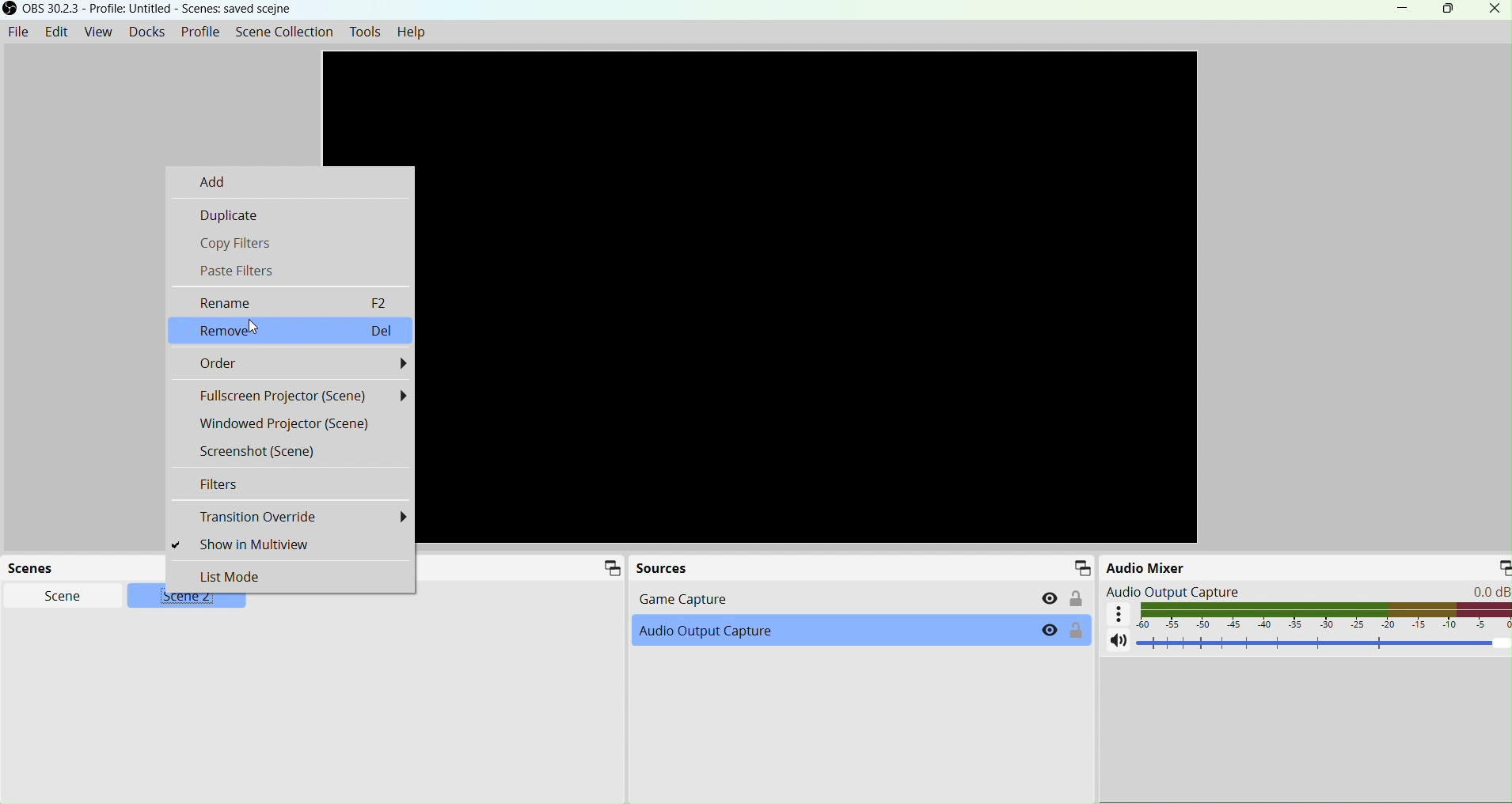  I want to click on Fullscreen Projector (Scene), so click(291, 396).